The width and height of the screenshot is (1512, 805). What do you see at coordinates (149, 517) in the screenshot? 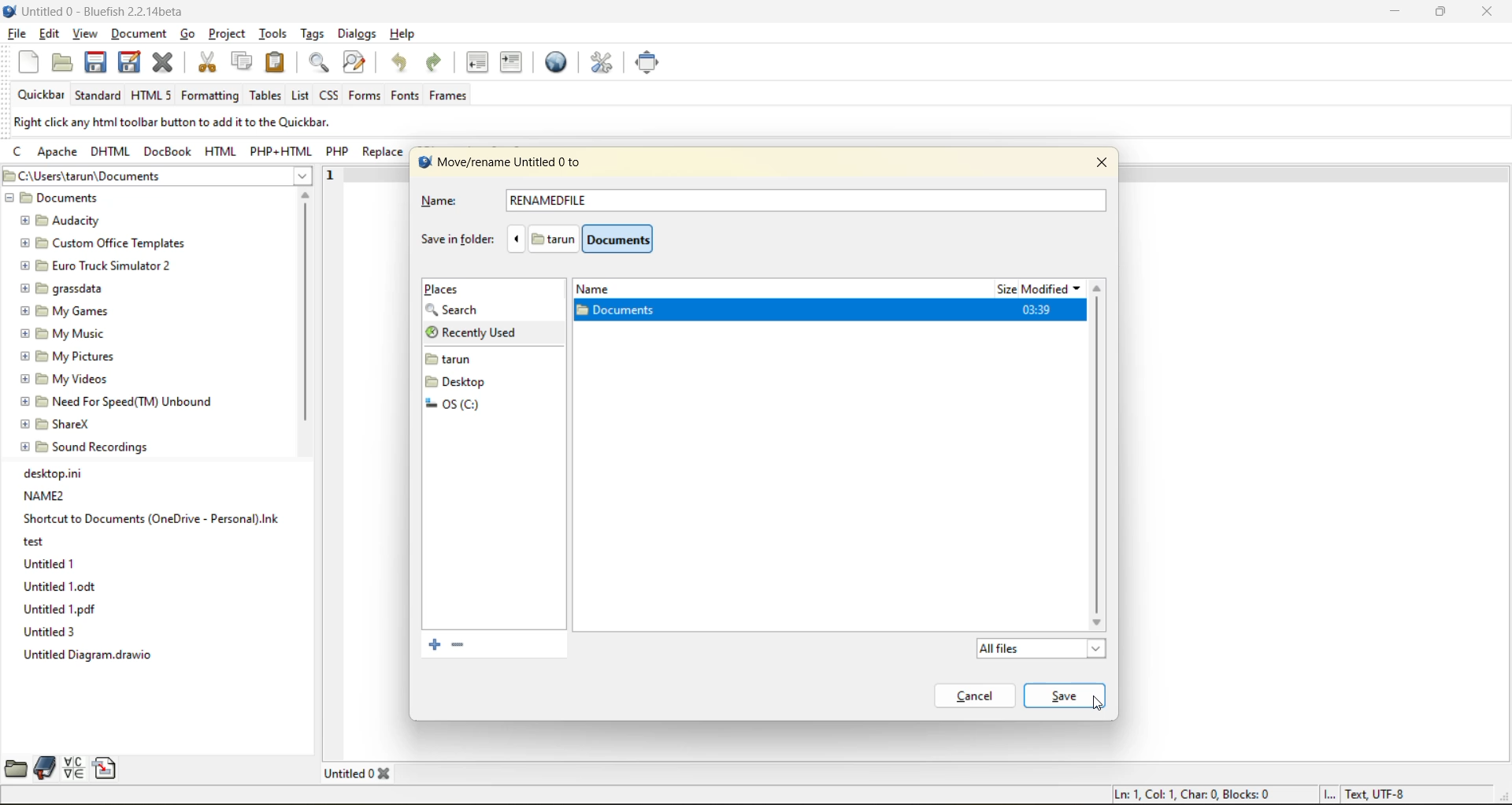
I see `Shortcut to Documents (OneDrive-Personal).Ink` at bounding box center [149, 517].